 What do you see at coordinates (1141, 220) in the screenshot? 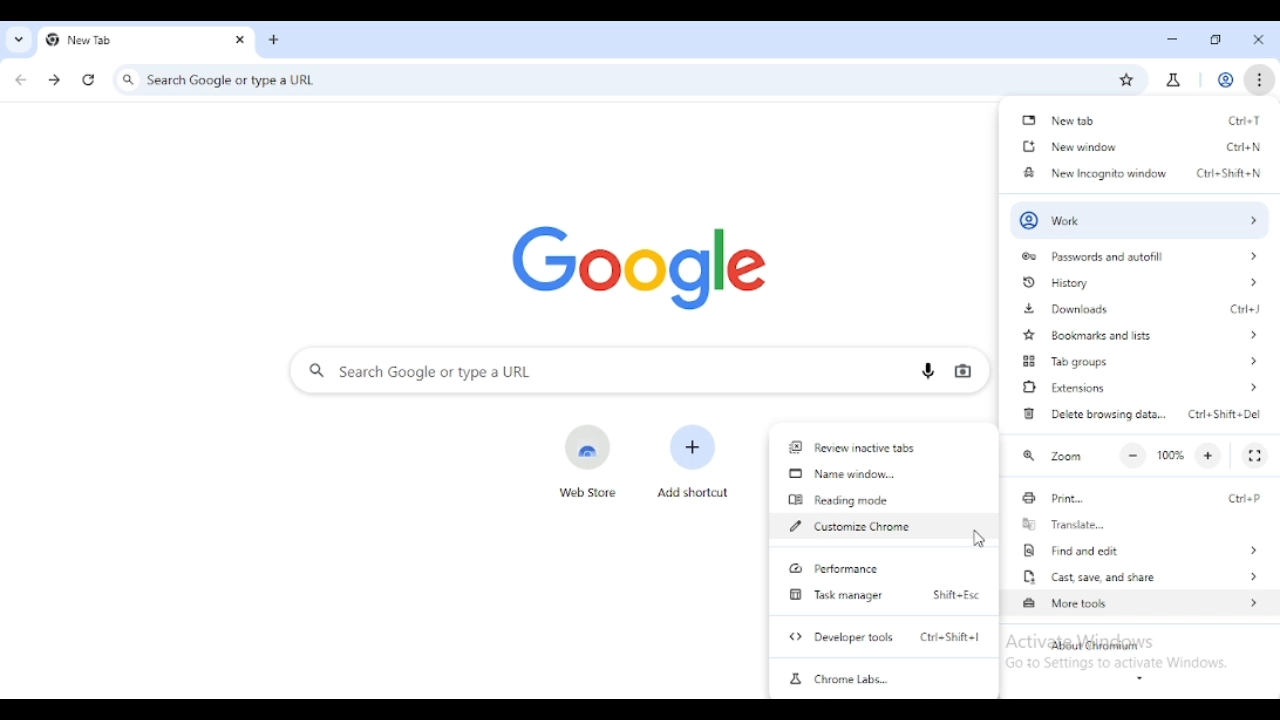
I see `profile` at bounding box center [1141, 220].